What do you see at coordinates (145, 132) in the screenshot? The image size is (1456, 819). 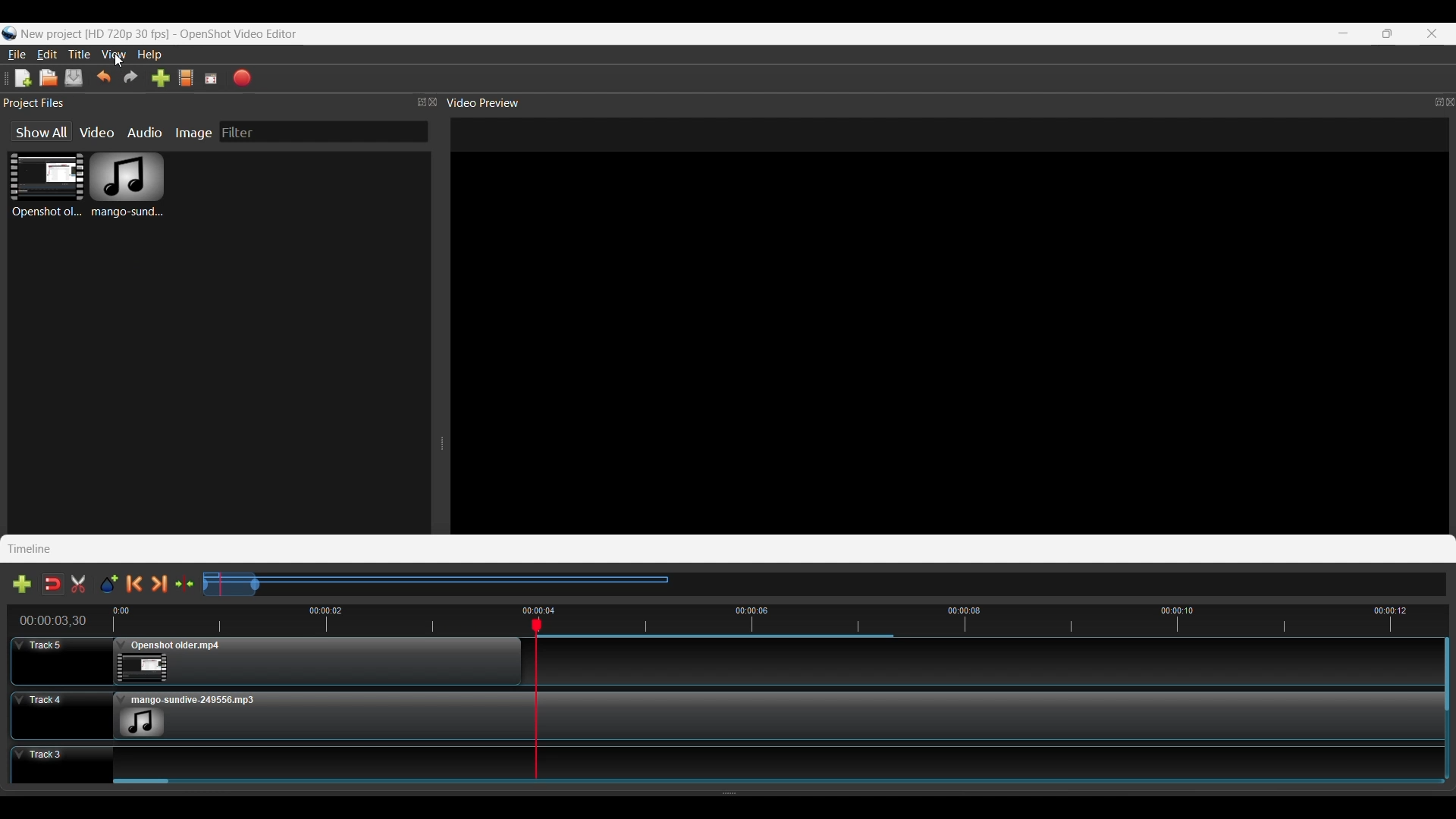 I see `Audio` at bounding box center [145, 132].